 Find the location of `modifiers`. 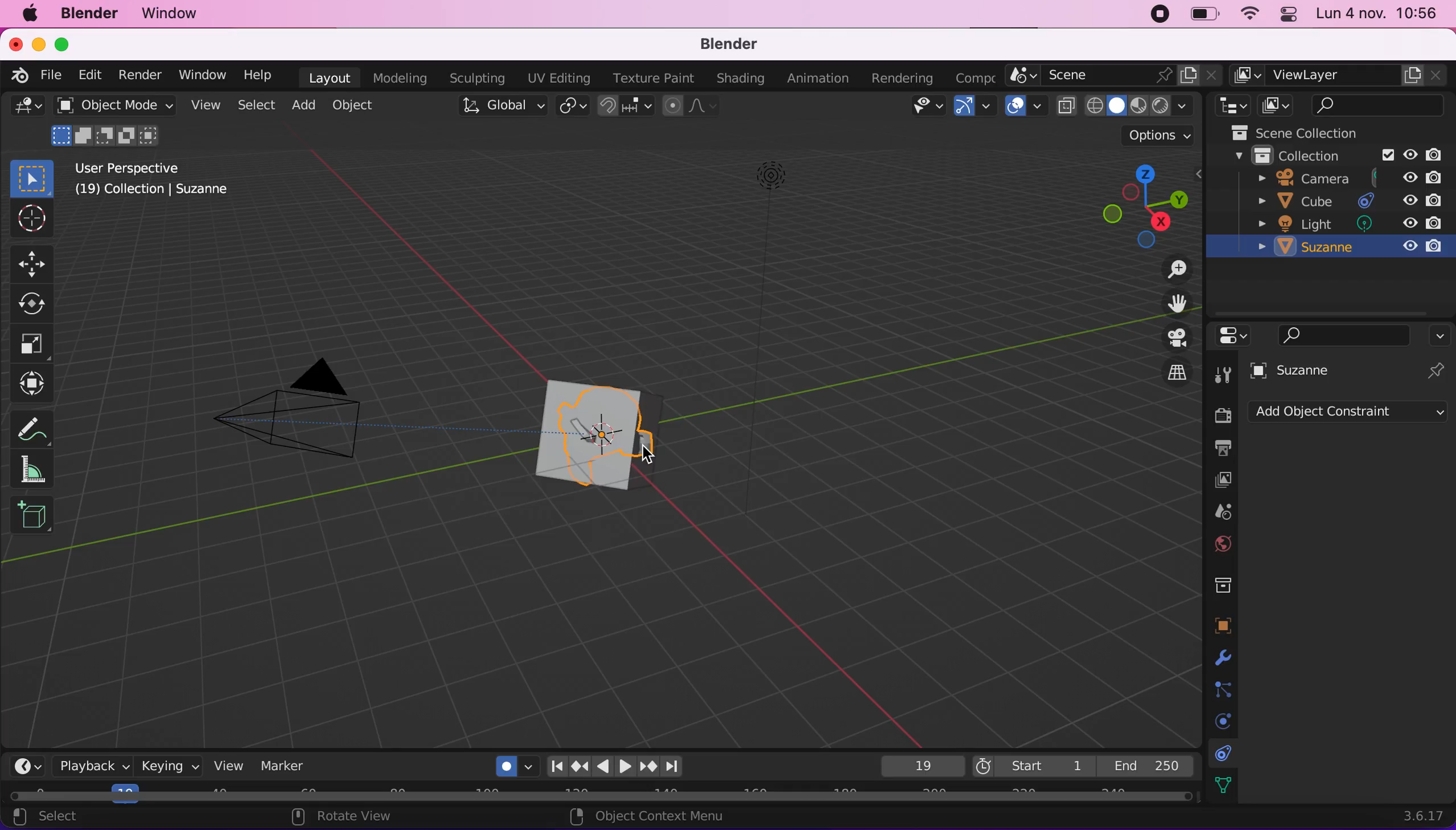

modifiers is located at coordinates (1221, 654).